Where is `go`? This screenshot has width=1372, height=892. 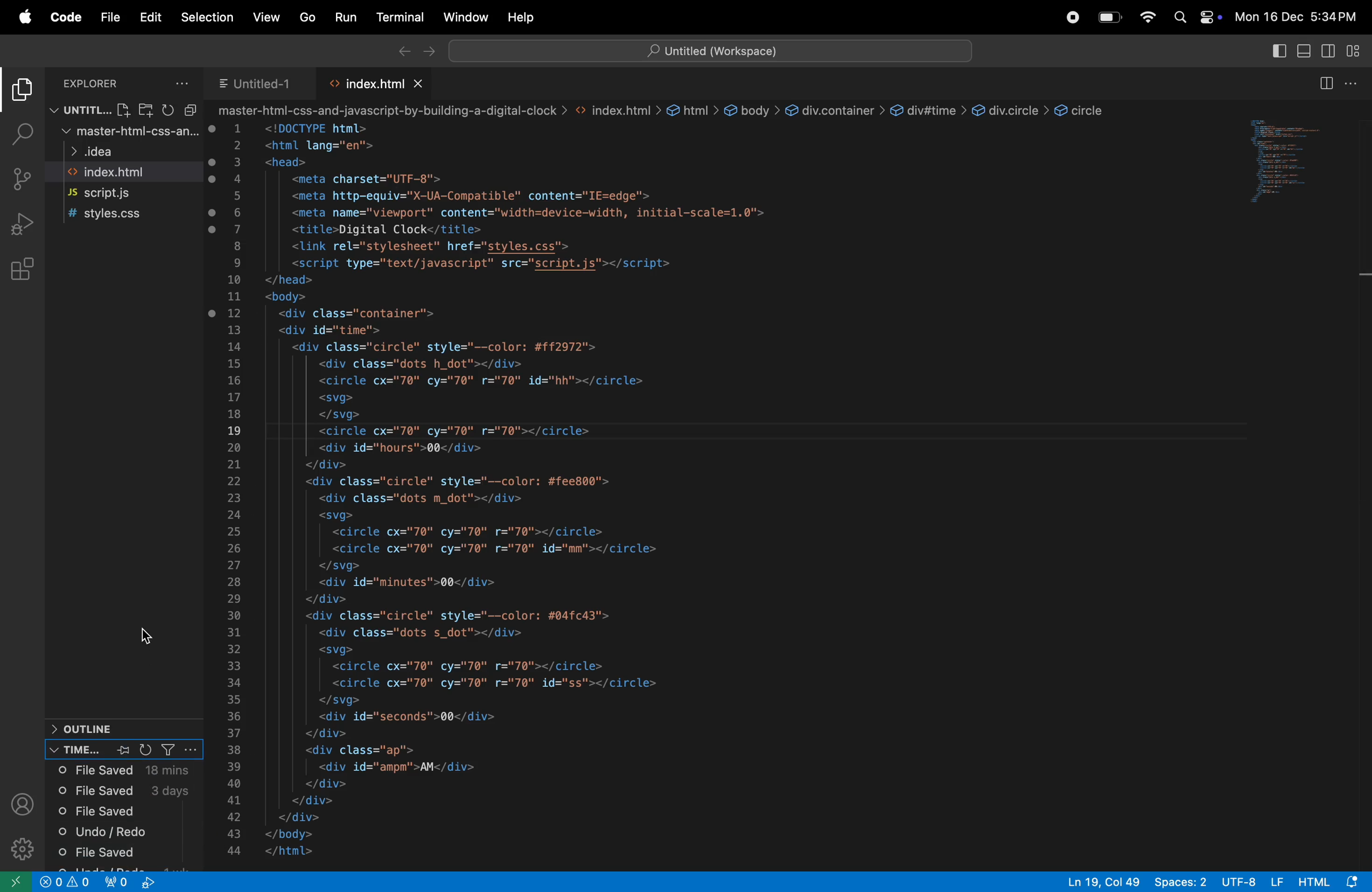 go is located at coordinates (305, 17).